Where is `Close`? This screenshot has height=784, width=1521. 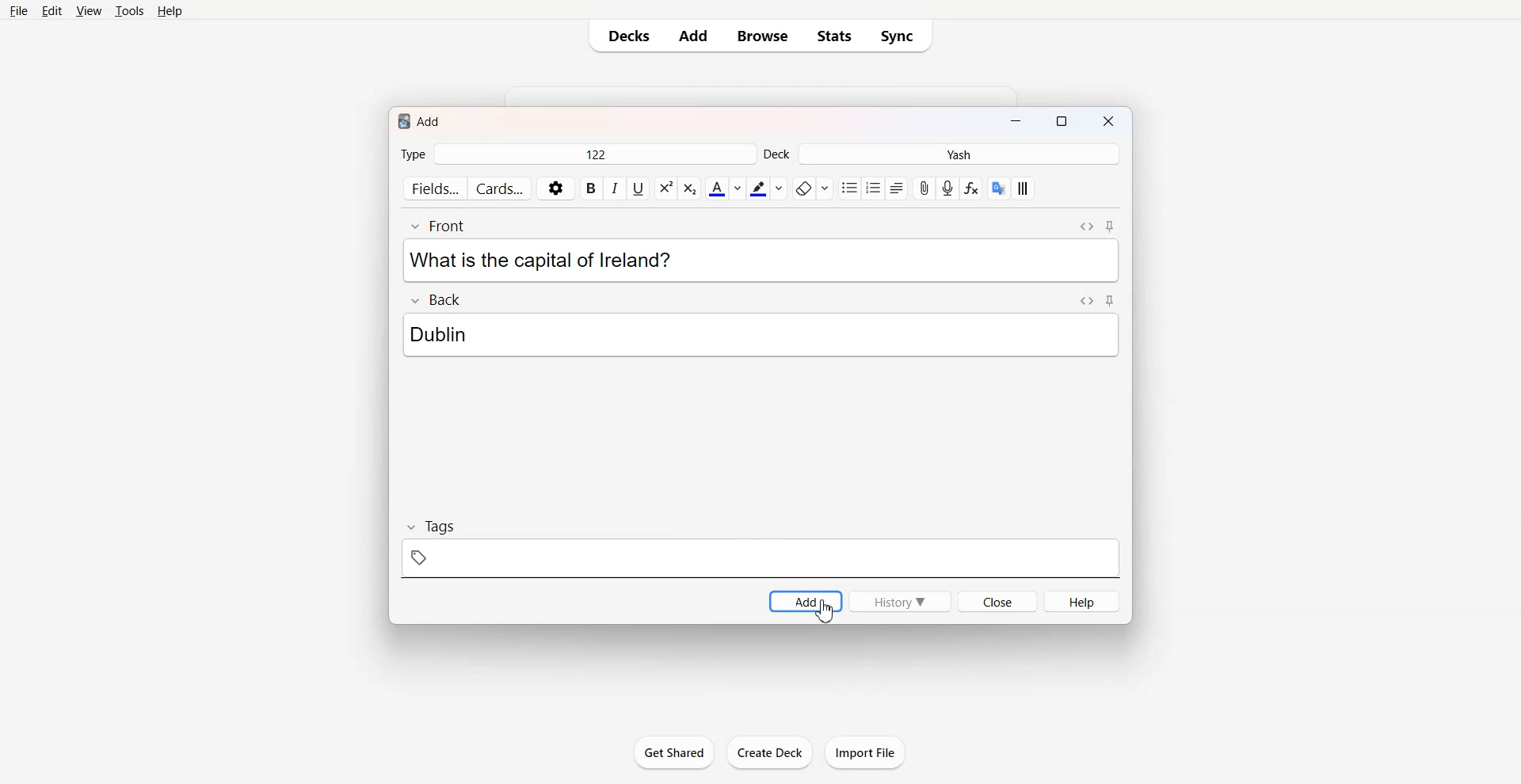
Close is located at coordinates (1111, 123).